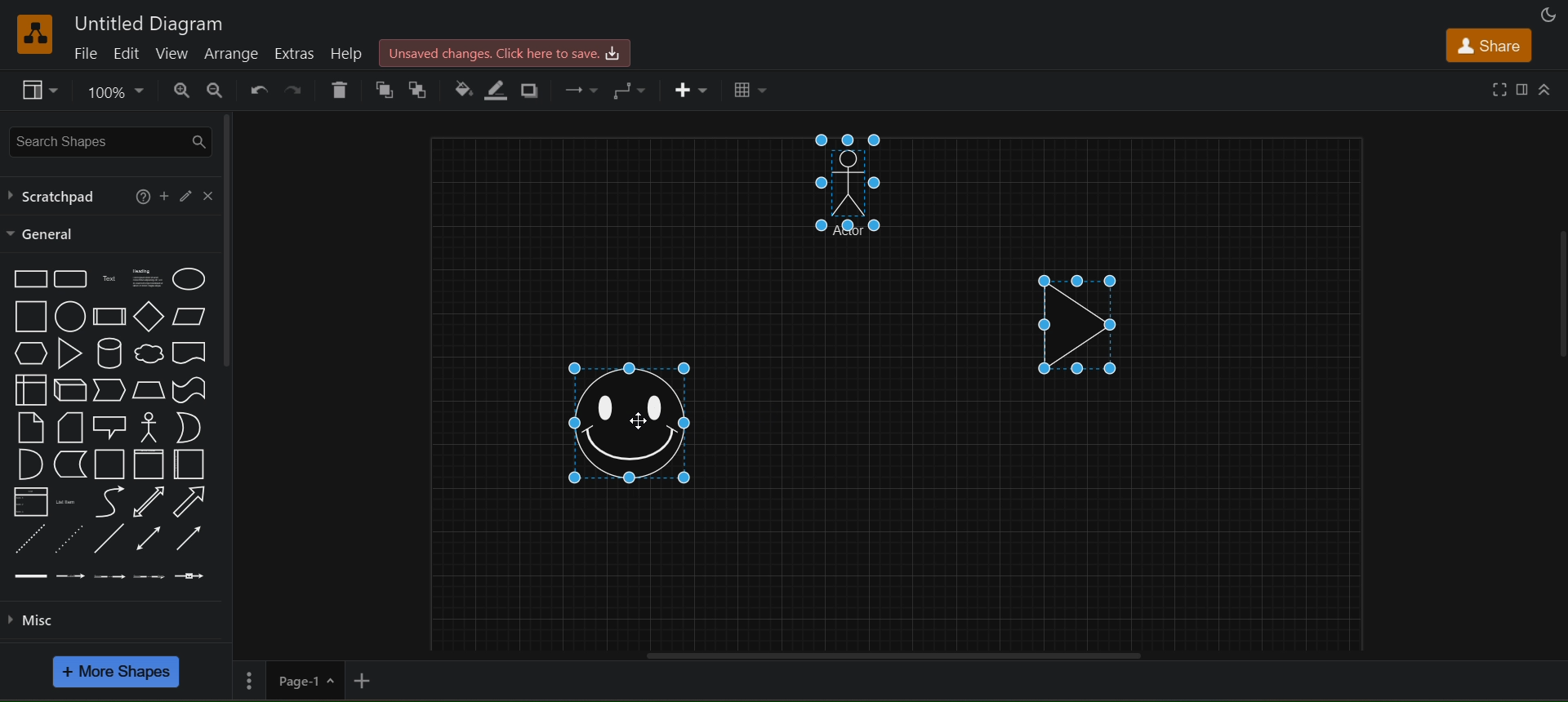 Image resolution: width=1568 pixels, height=702 pixels. I want to click on vertical container, so click(149, 464).